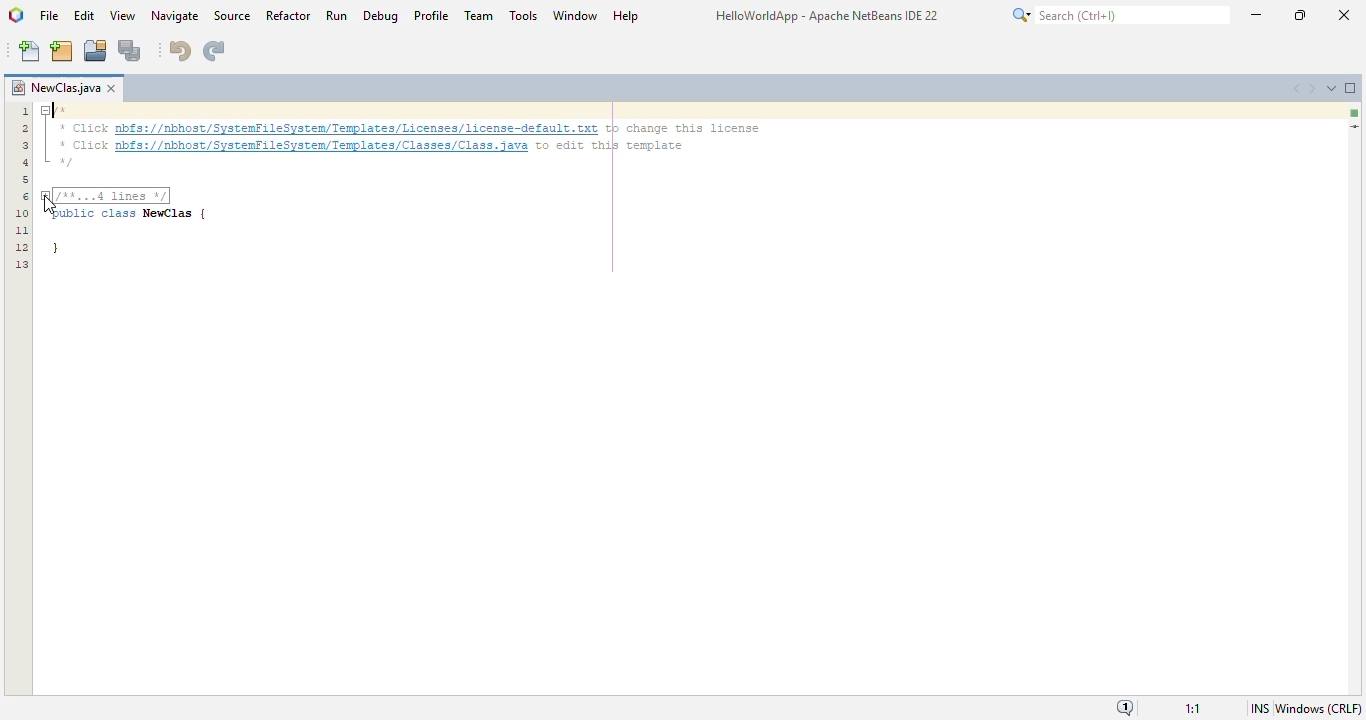 The height and width of the screenshot is (720, 1366). Describe the element at coordinates (50, 205) in the screenshot. I see `cursor` at that location.